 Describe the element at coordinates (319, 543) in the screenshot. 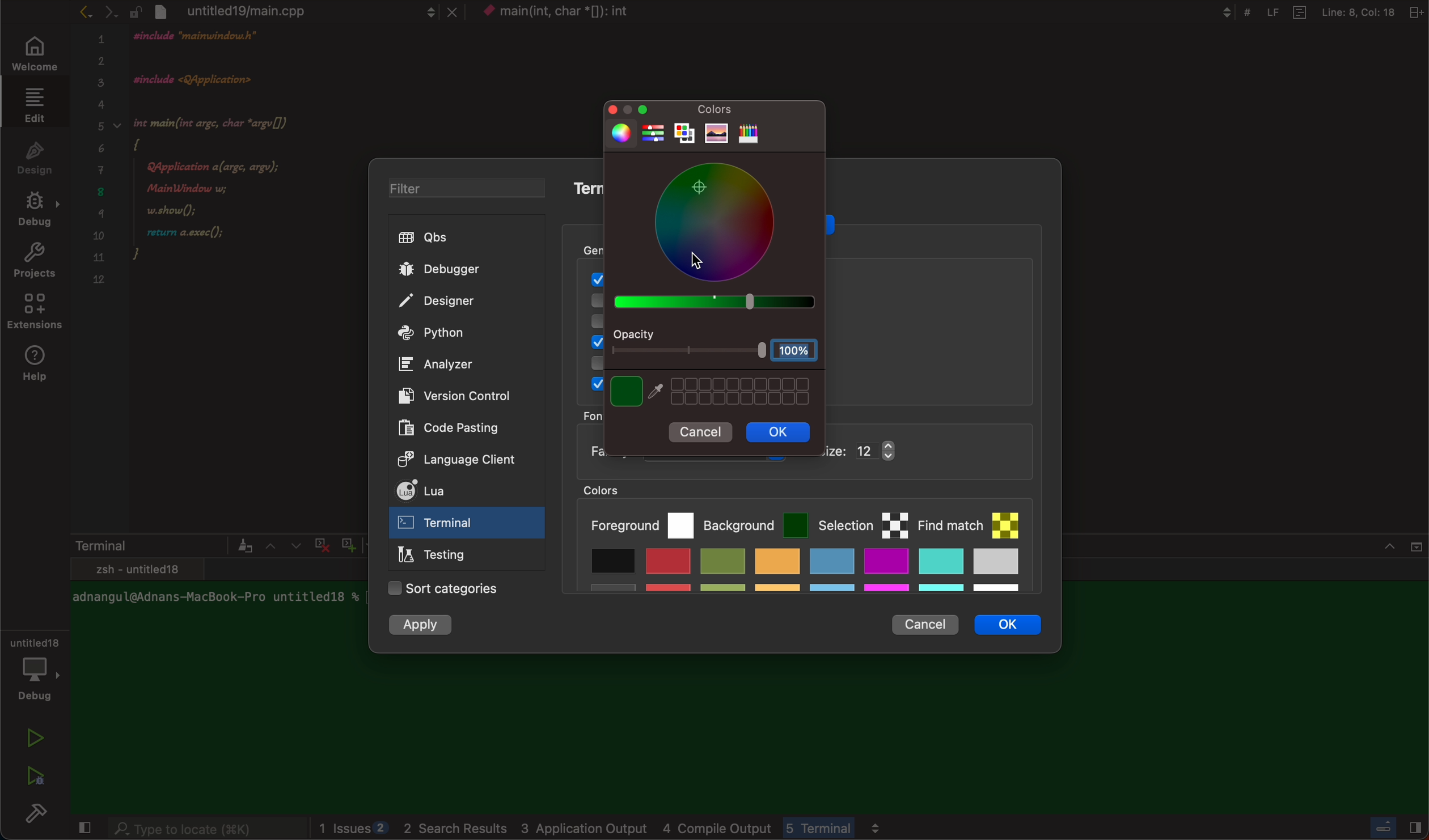

I see `cross` at that location.